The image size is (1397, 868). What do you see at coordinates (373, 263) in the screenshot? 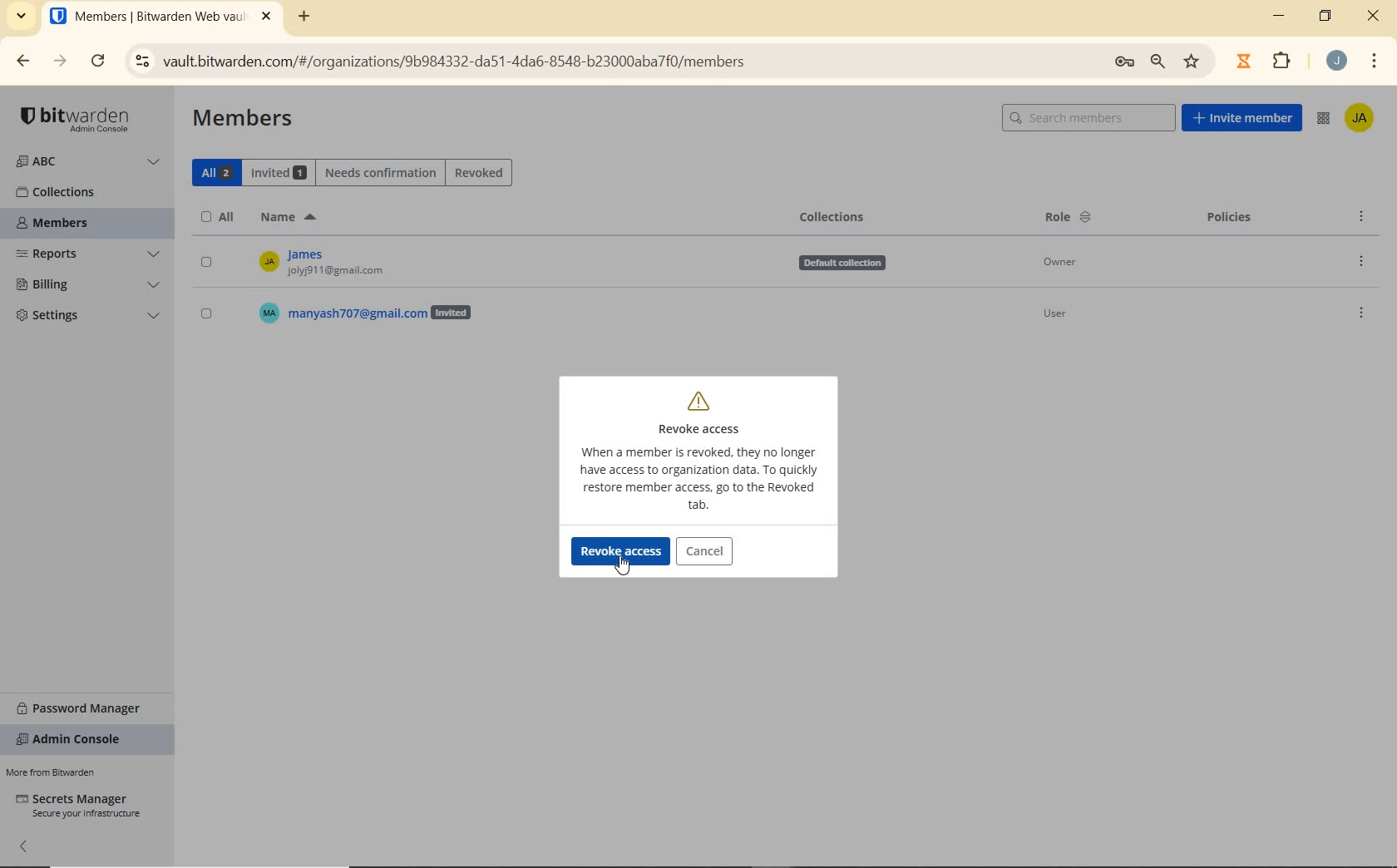
I see `OWNER` at bounding box center [373, 263].